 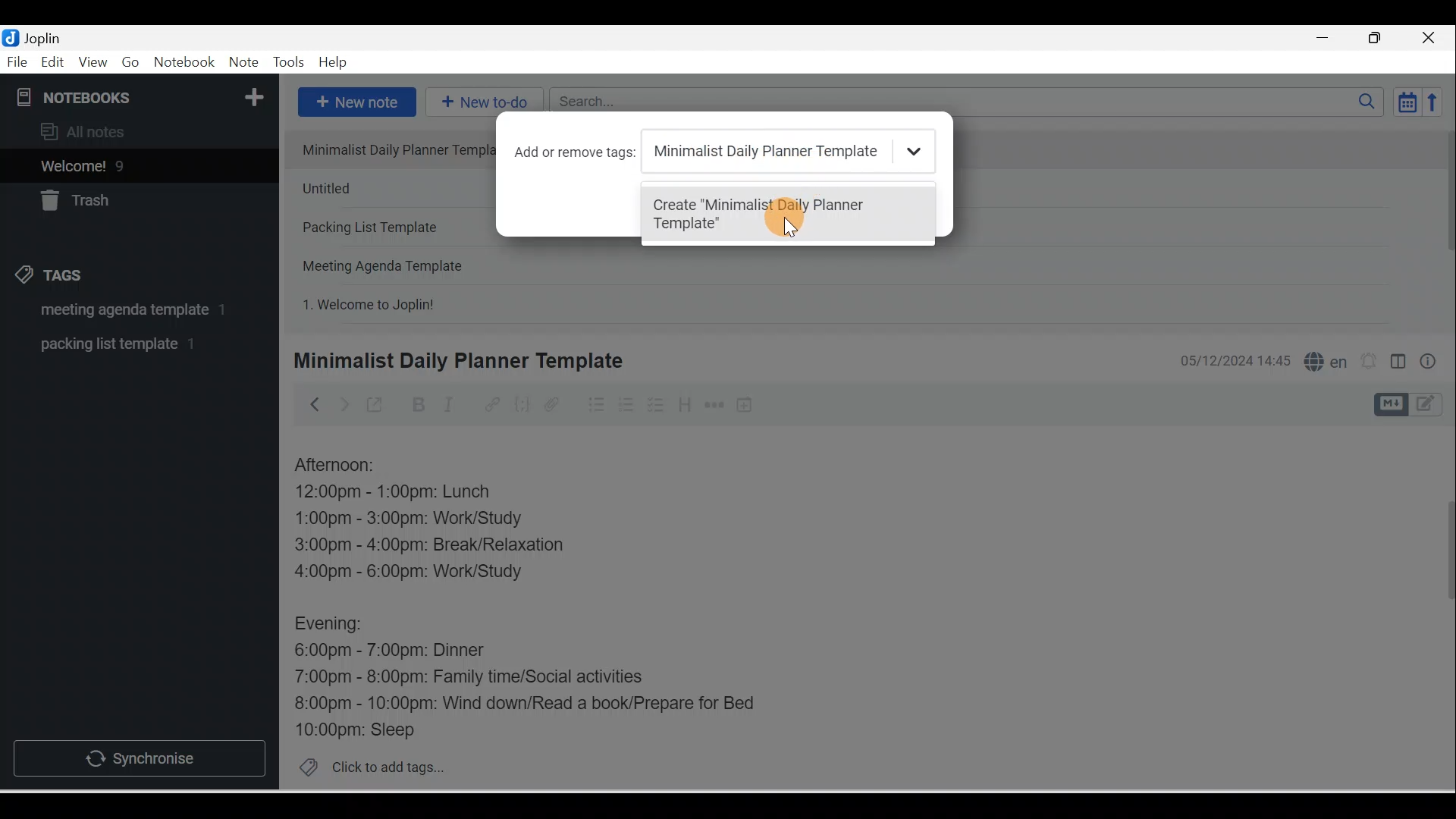 I want to click on Spelling, so click(x=1323, y=359).